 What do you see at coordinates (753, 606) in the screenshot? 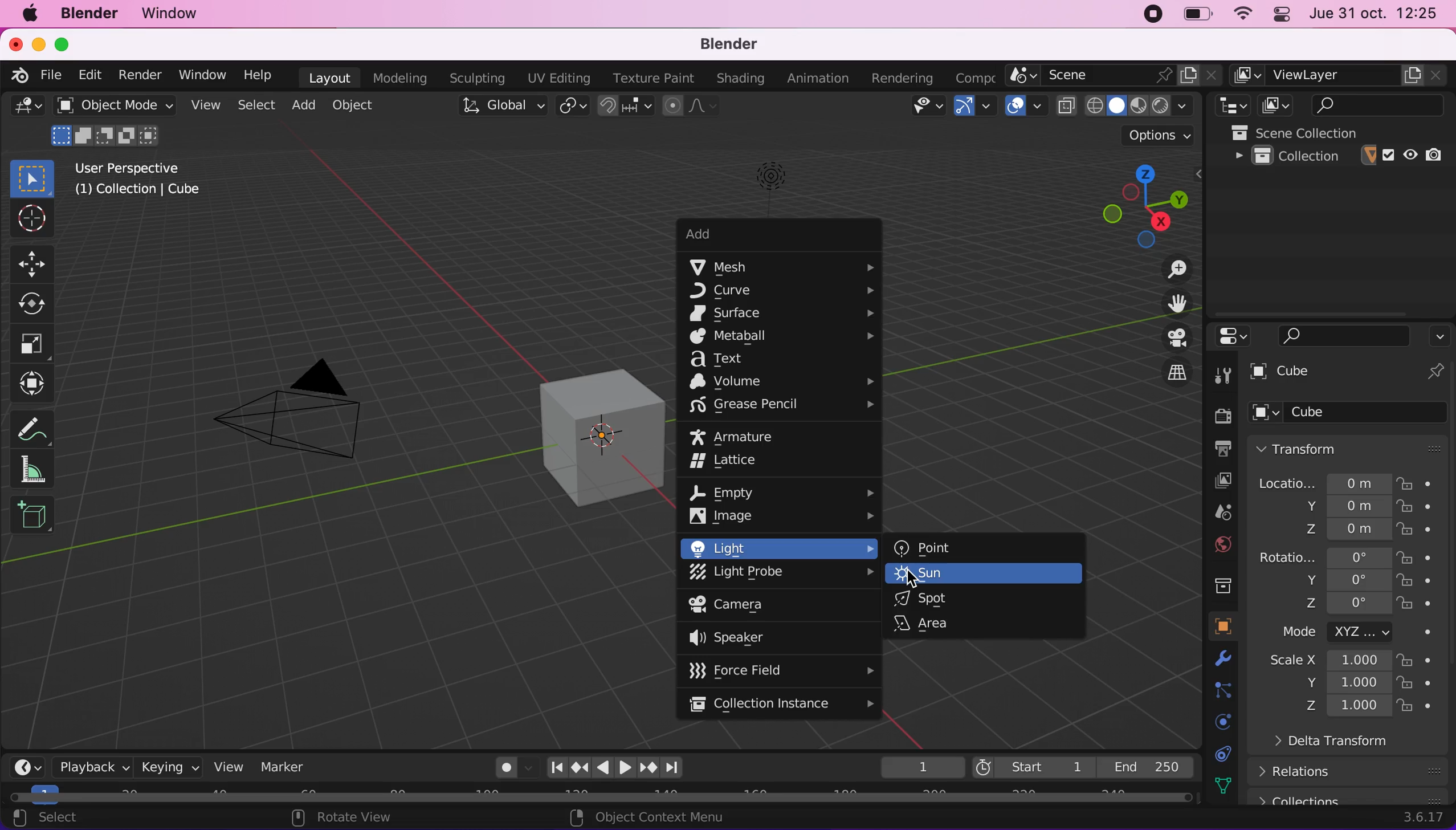
I see `camera` at bounding box center [753, 606].